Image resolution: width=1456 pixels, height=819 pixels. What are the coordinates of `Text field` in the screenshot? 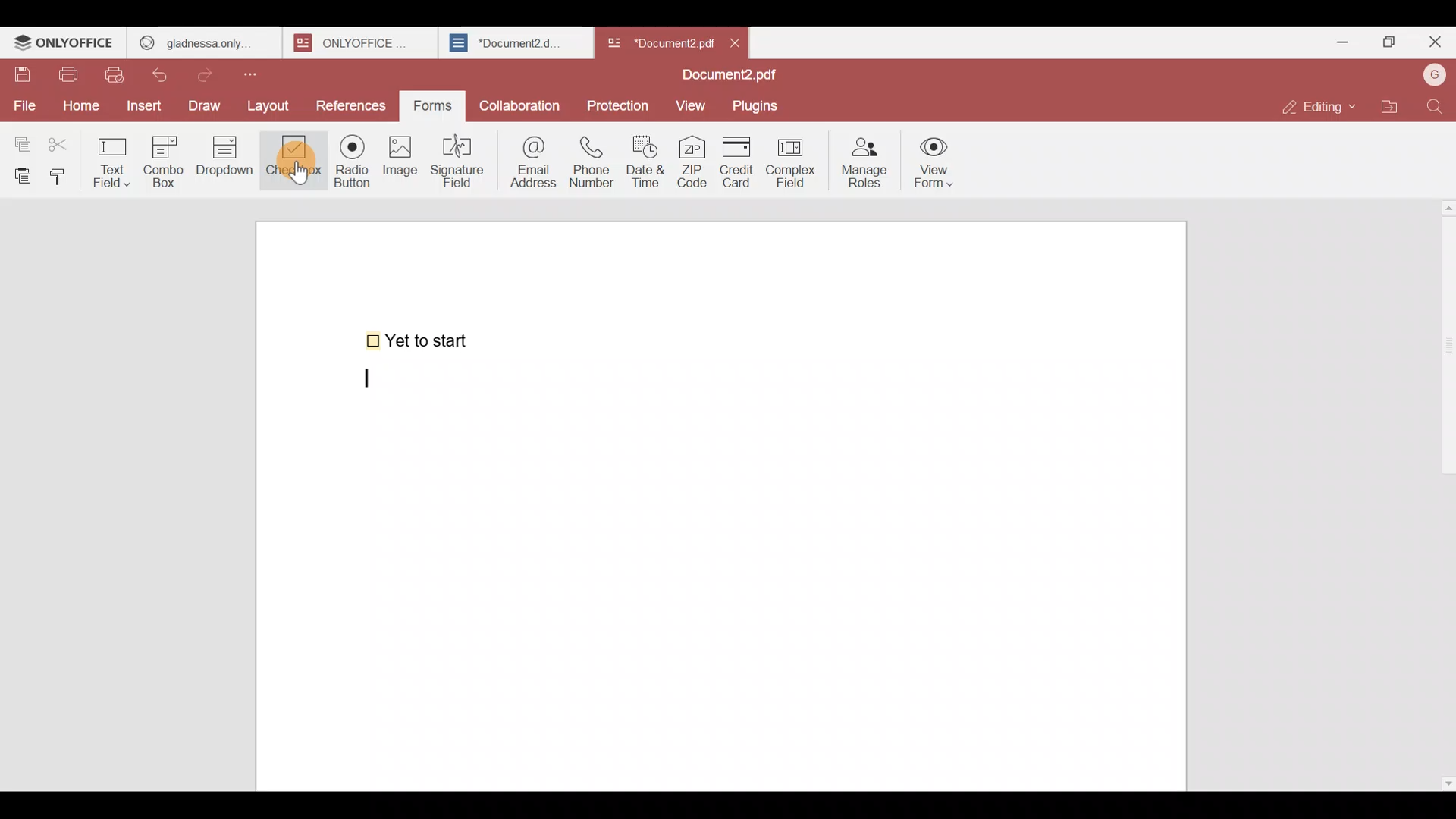 It's located at (115, 158).